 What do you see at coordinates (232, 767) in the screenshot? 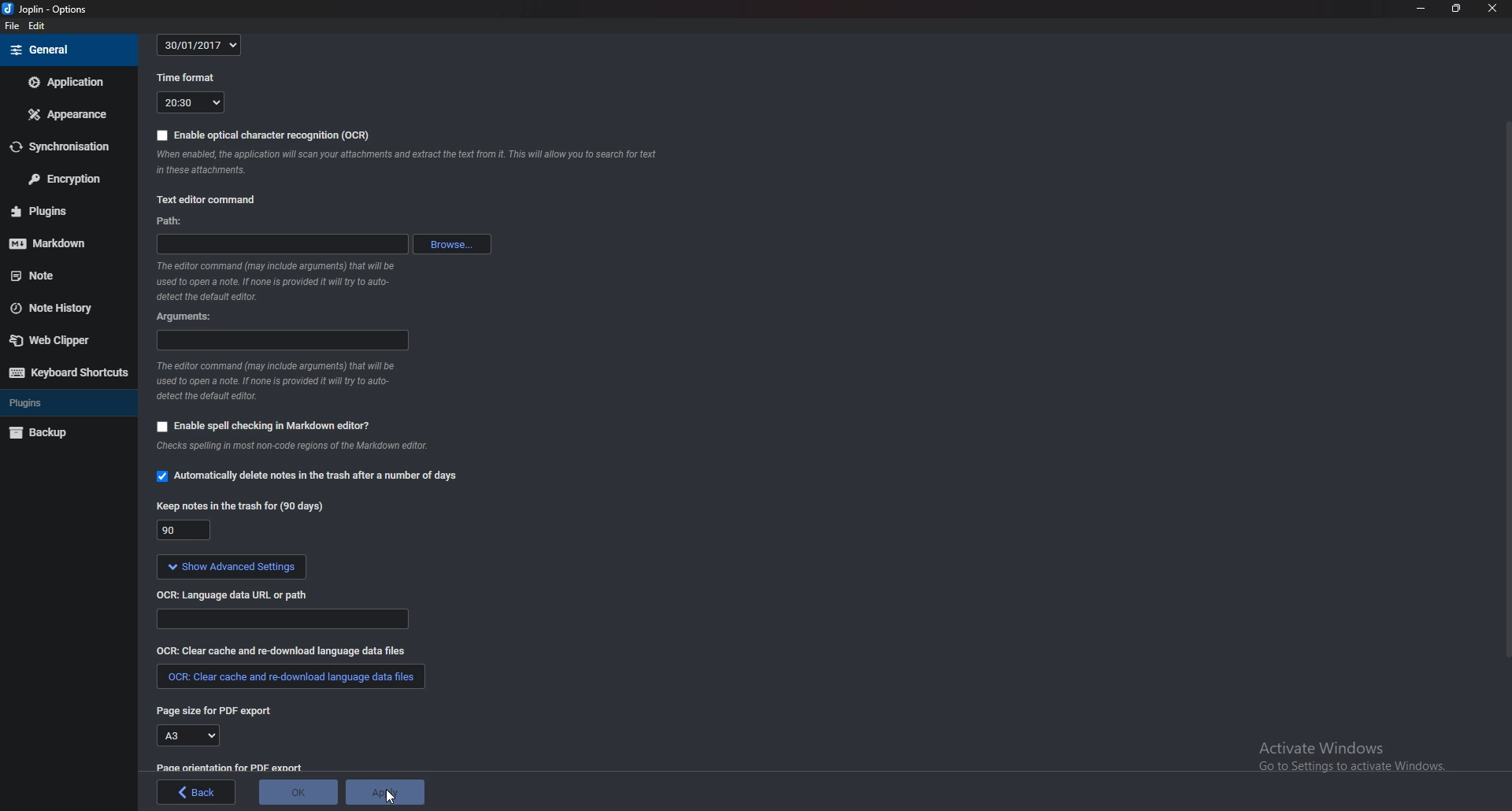
I see `Page orientation for pdf export` at bounding box center [232, 767].